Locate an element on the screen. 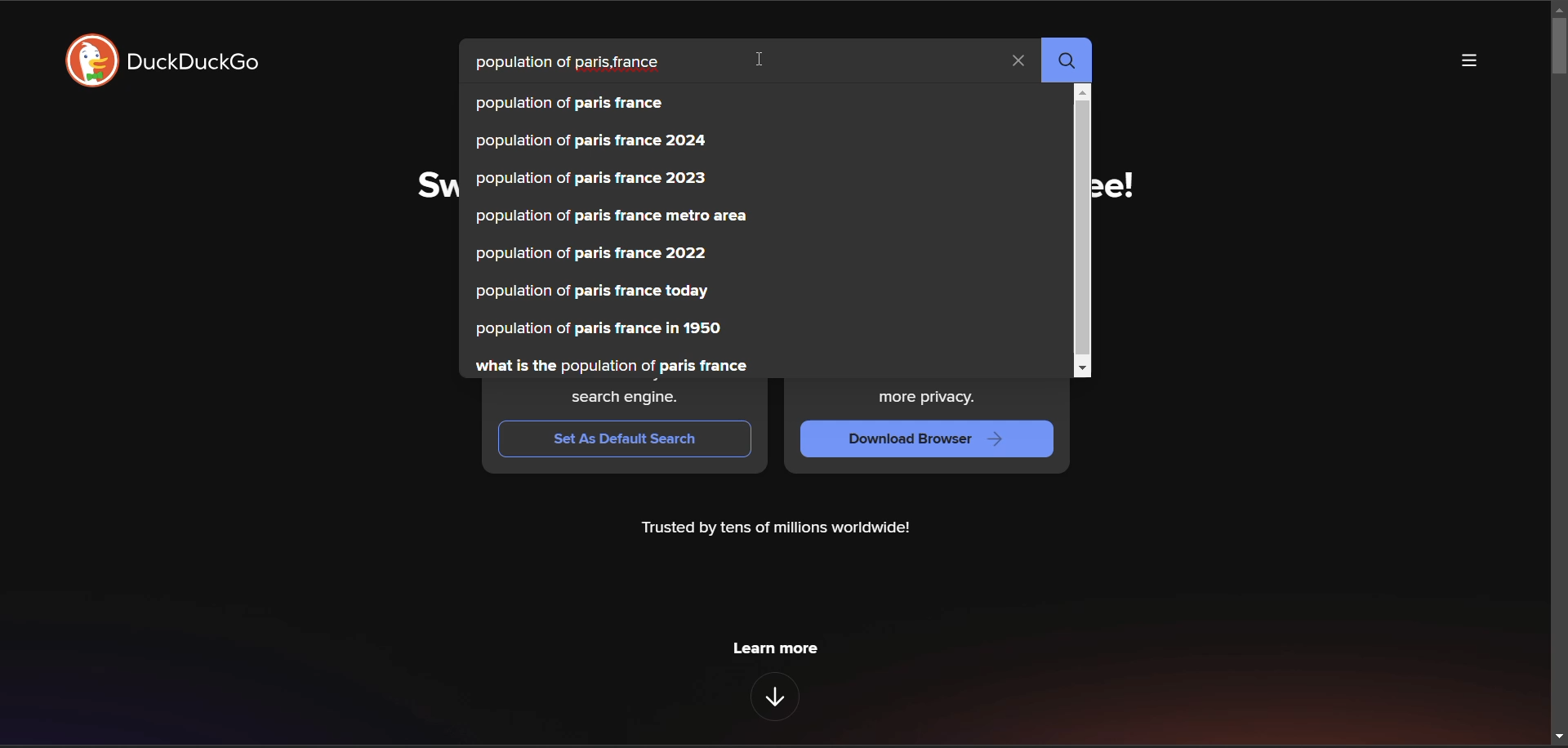 This screenshot has height=748, width=1568. search term is located at coordinates (571, 64).